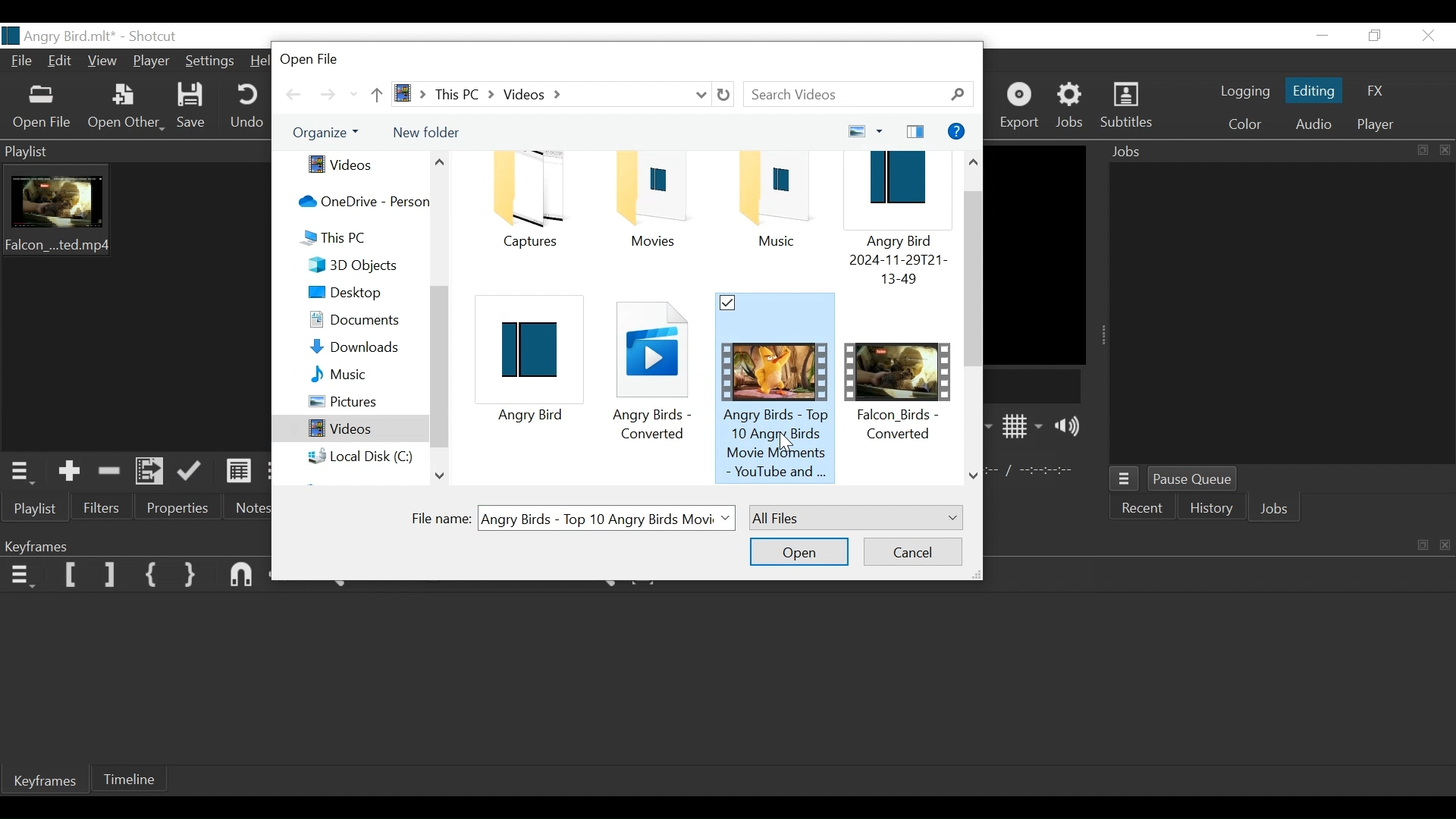 The image size is (1456, 819). Describe the element at coordinates (21, 62) in the screenshot. I see `File` at that location.